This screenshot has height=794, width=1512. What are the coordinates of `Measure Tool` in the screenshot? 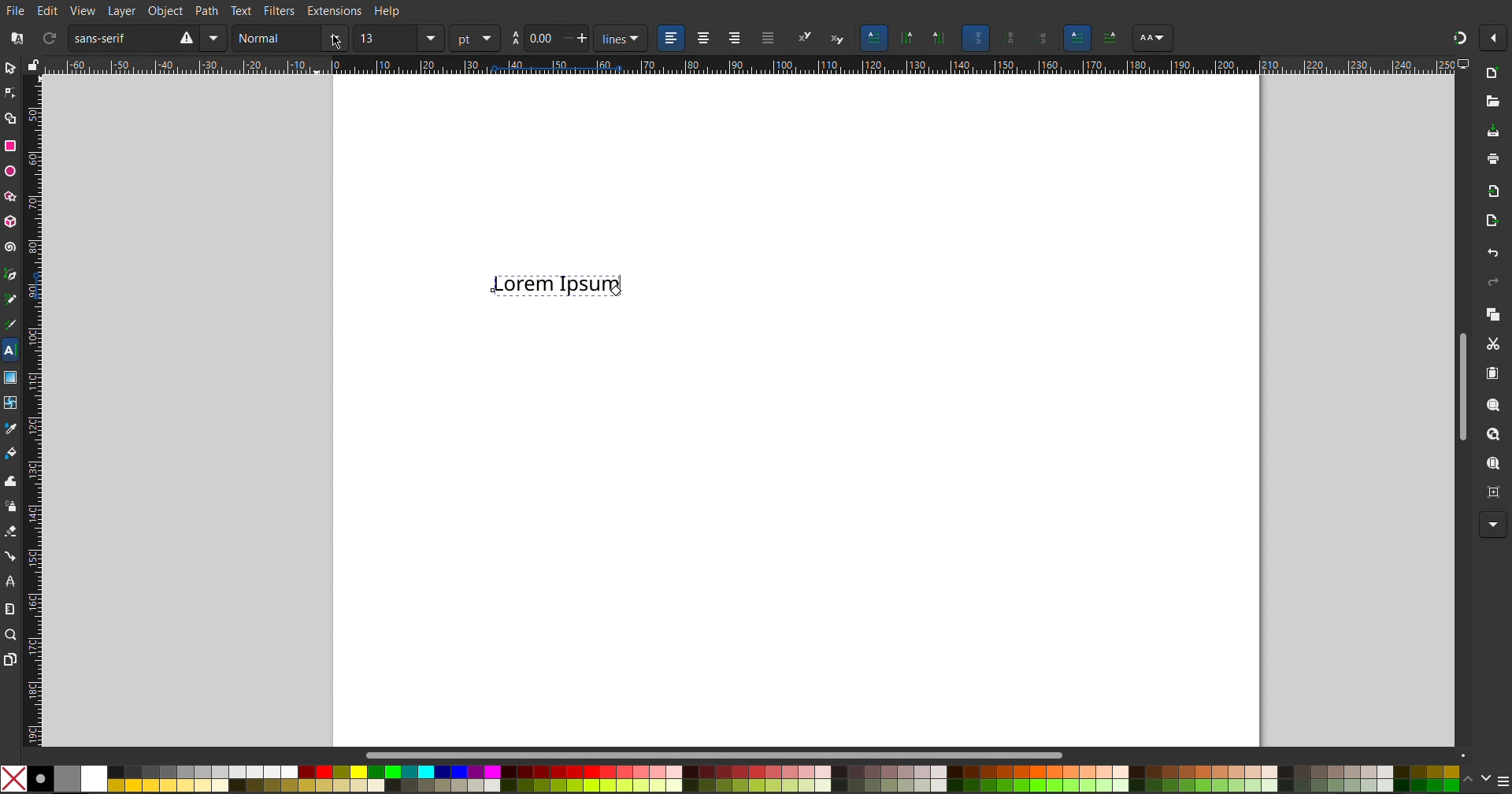 It's located at (11, 608).